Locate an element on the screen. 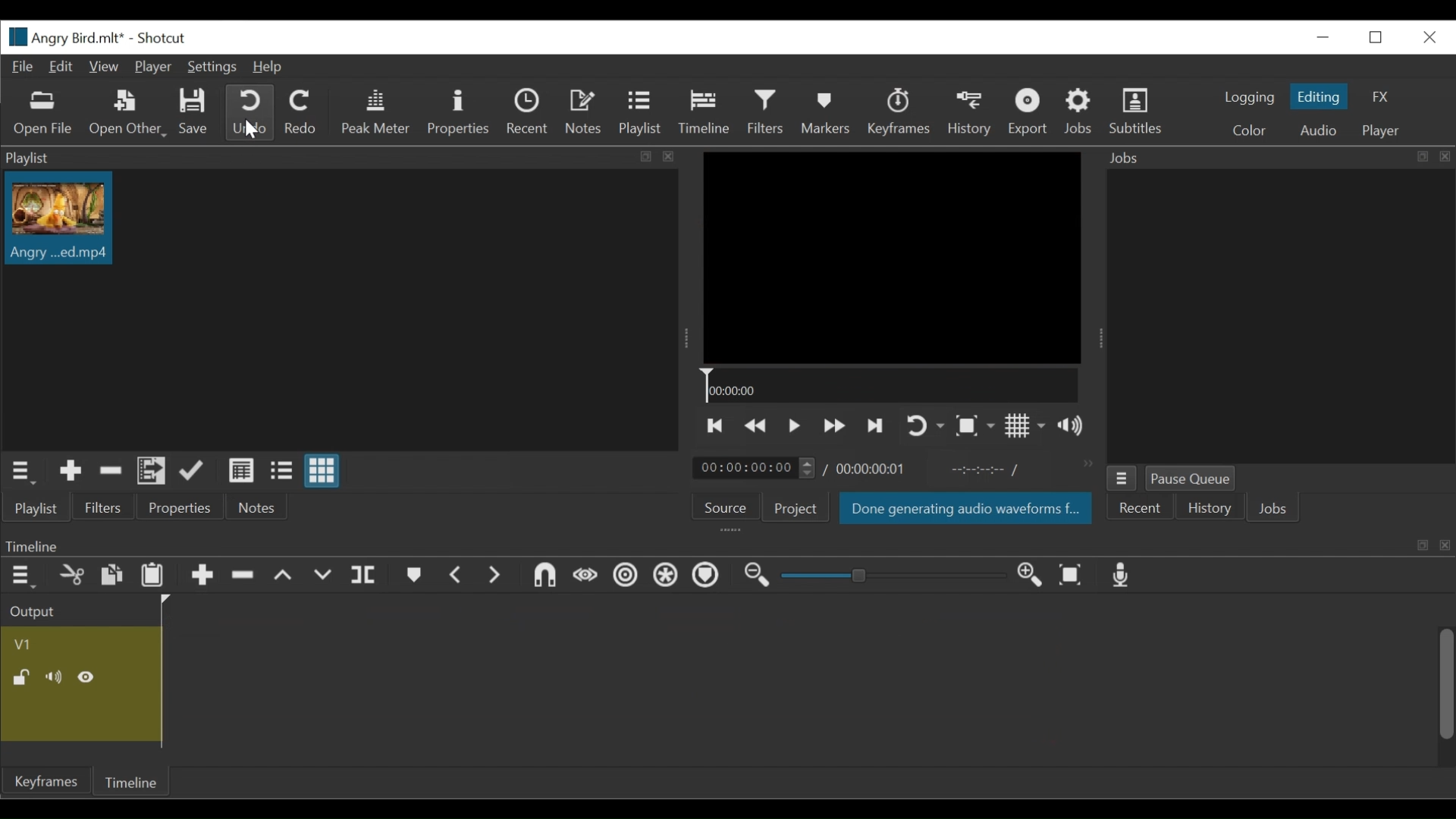 The height and width of the screenshot is (819, 1456). Recent is located at coordinates (1141, 507).